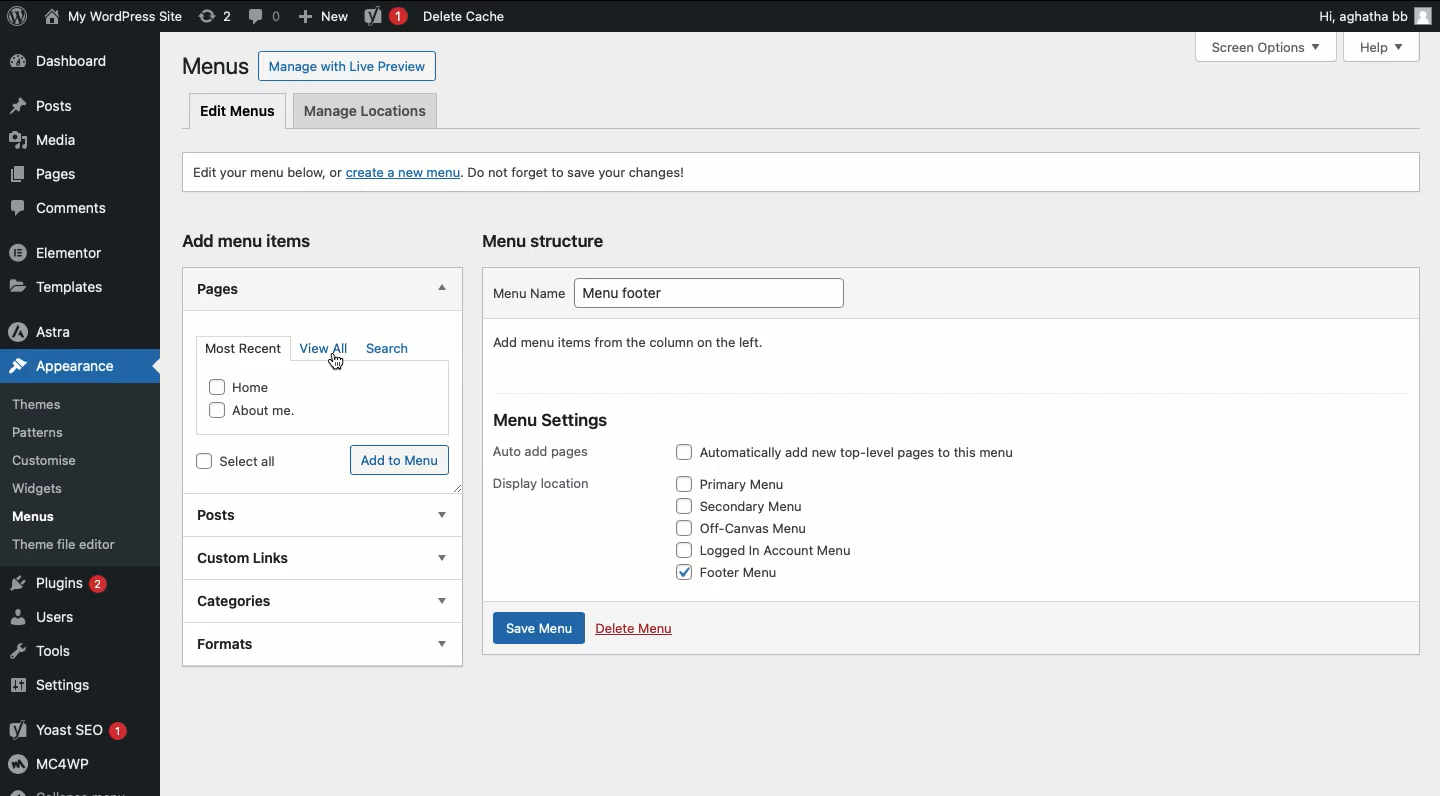  I want to click on Check box, so click(676, 571).